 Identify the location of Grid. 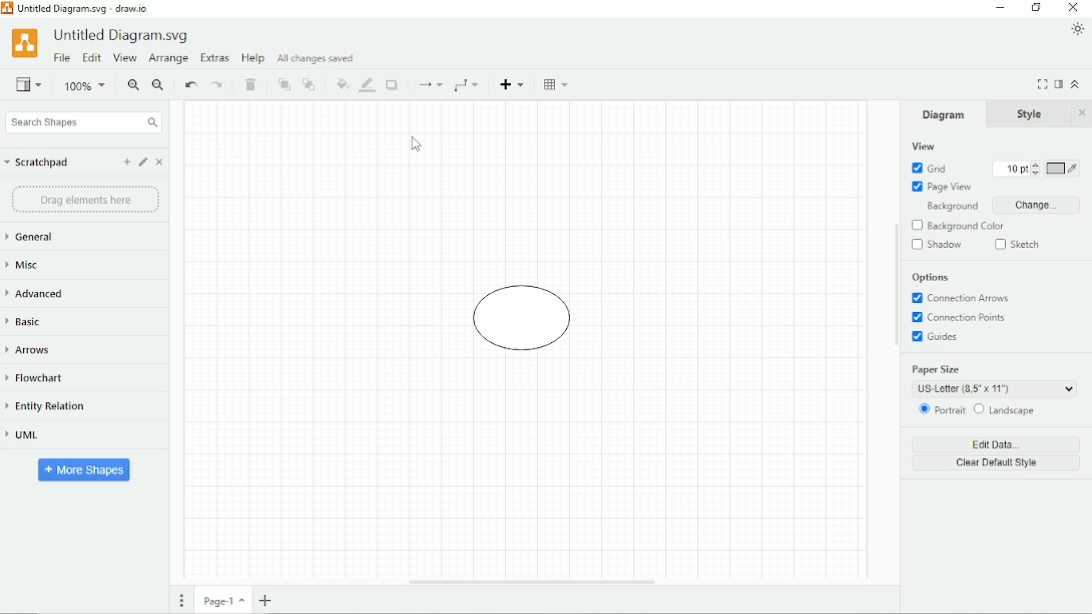
(930, 168).